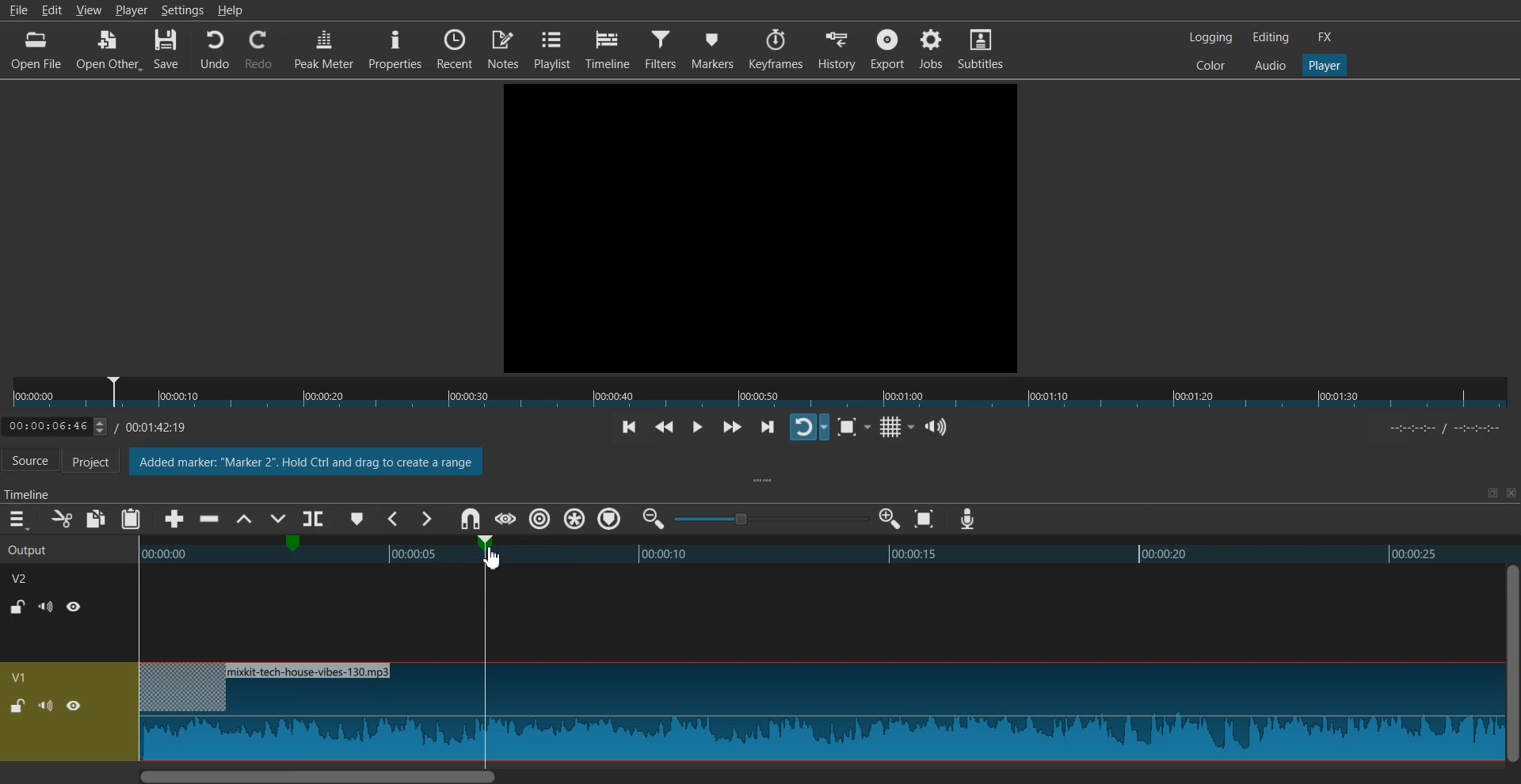  I want to click on Ripple all markers, so click(575, 519).